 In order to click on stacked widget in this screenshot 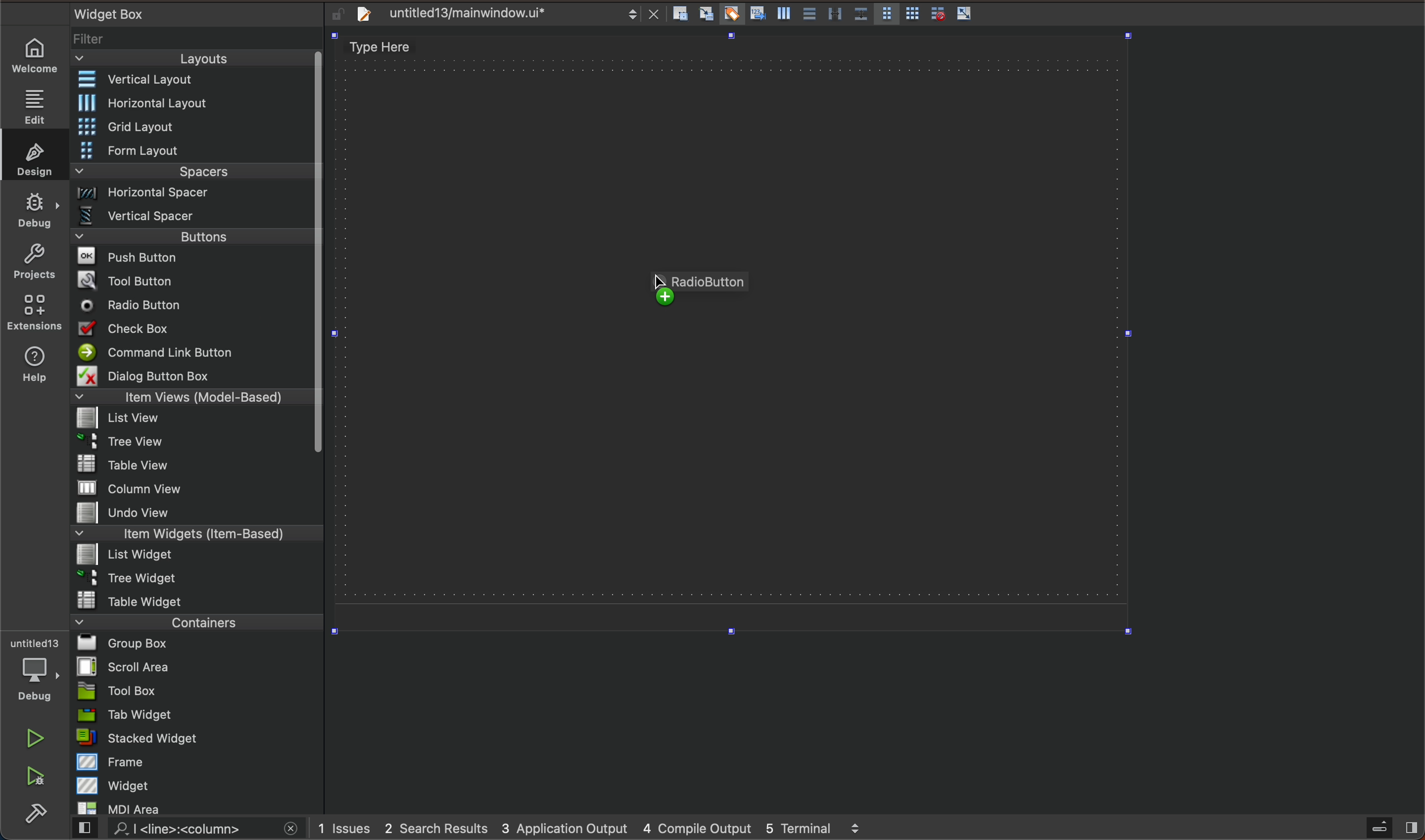, I will do `click(198, 738)`.